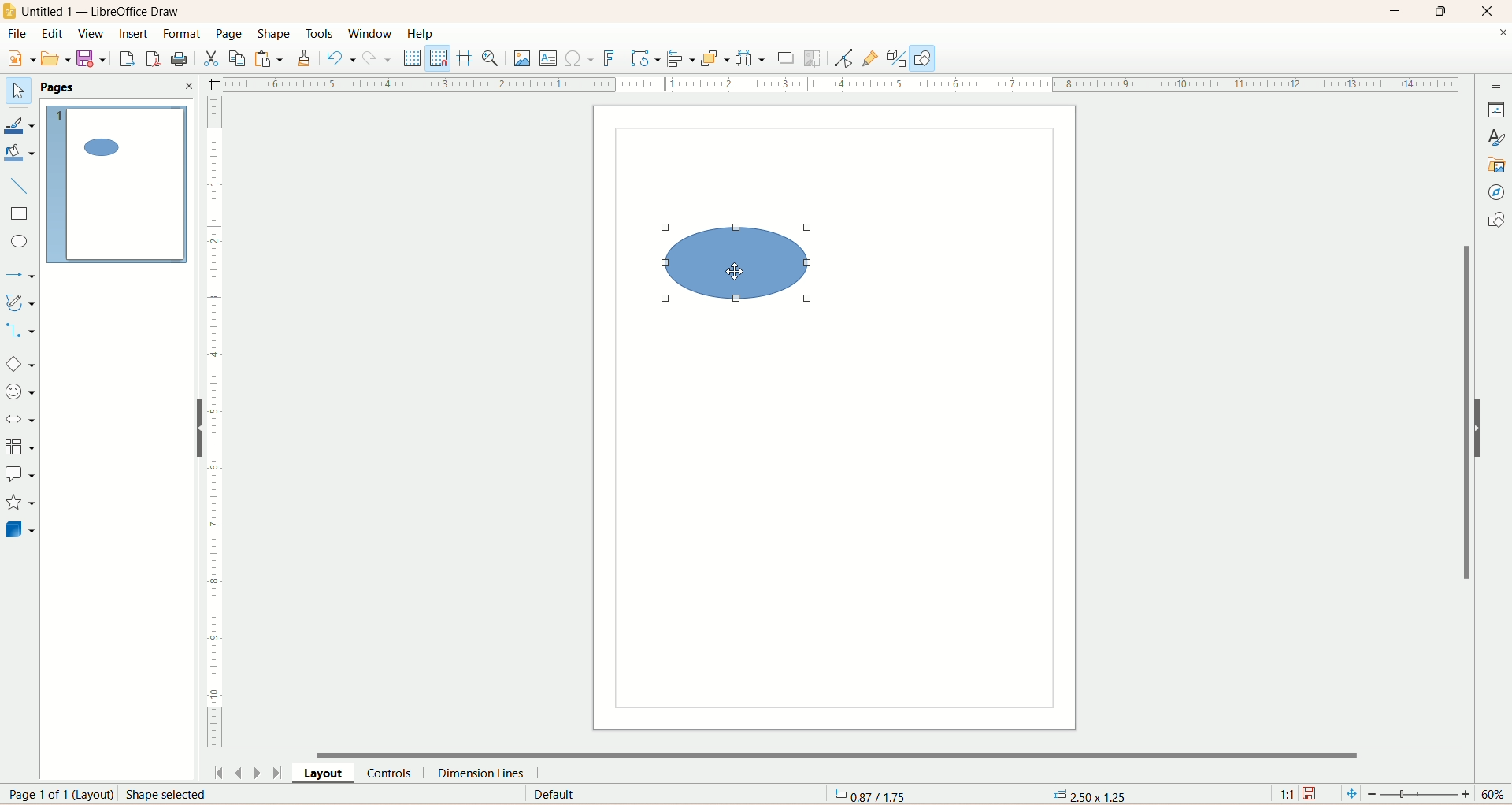 Image resolution: width=1512 pixels, height=805 pixels. Describe the element at coordinates (465, 60) in the screenshot. I see `helpline` at that location.